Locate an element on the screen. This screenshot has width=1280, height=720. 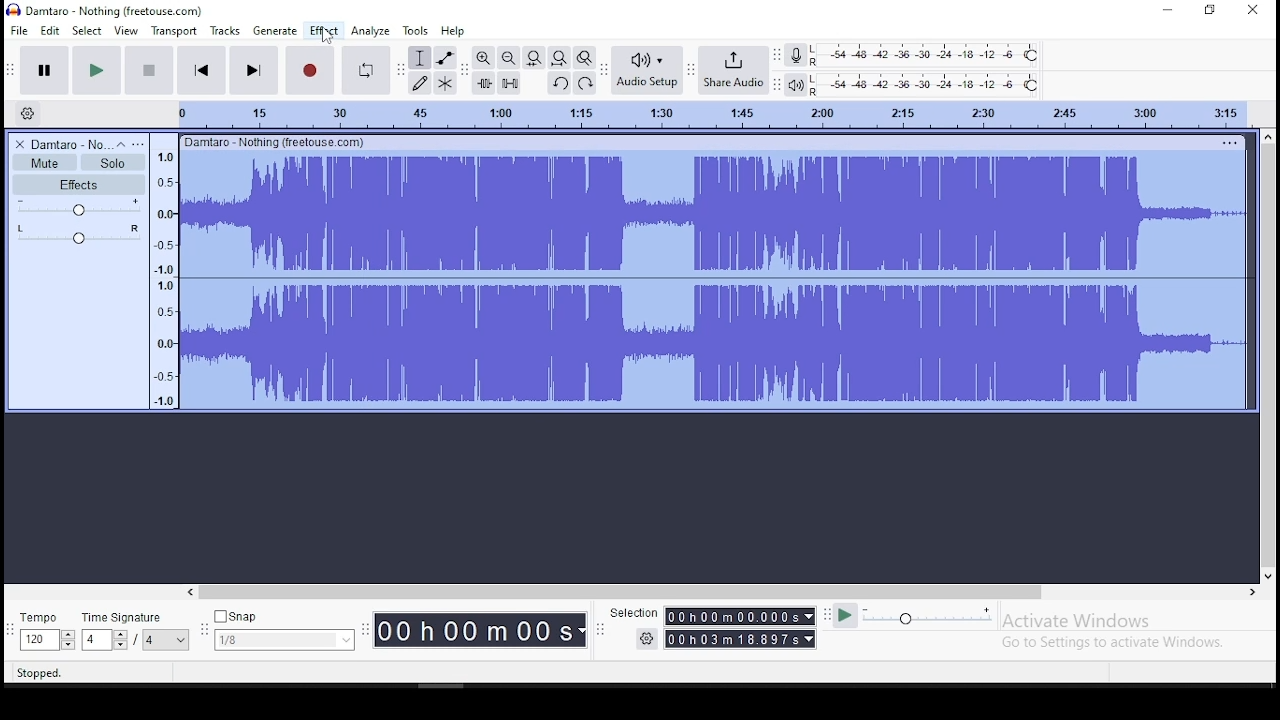
 is located at coordinates (161, 280).